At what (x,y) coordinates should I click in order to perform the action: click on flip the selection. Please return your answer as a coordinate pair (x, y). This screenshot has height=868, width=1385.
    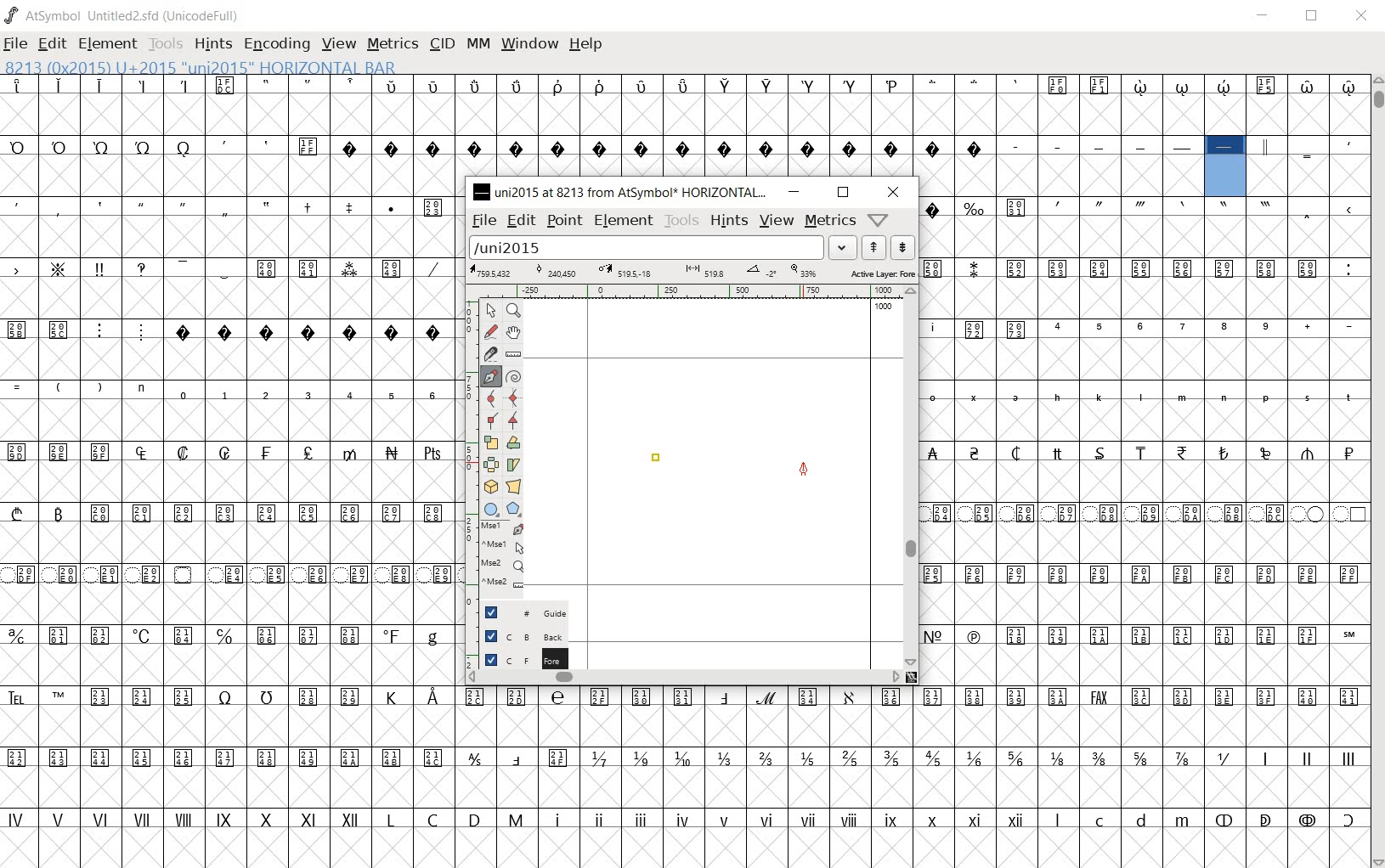
    Looking at the image, I should click on (490, 464).